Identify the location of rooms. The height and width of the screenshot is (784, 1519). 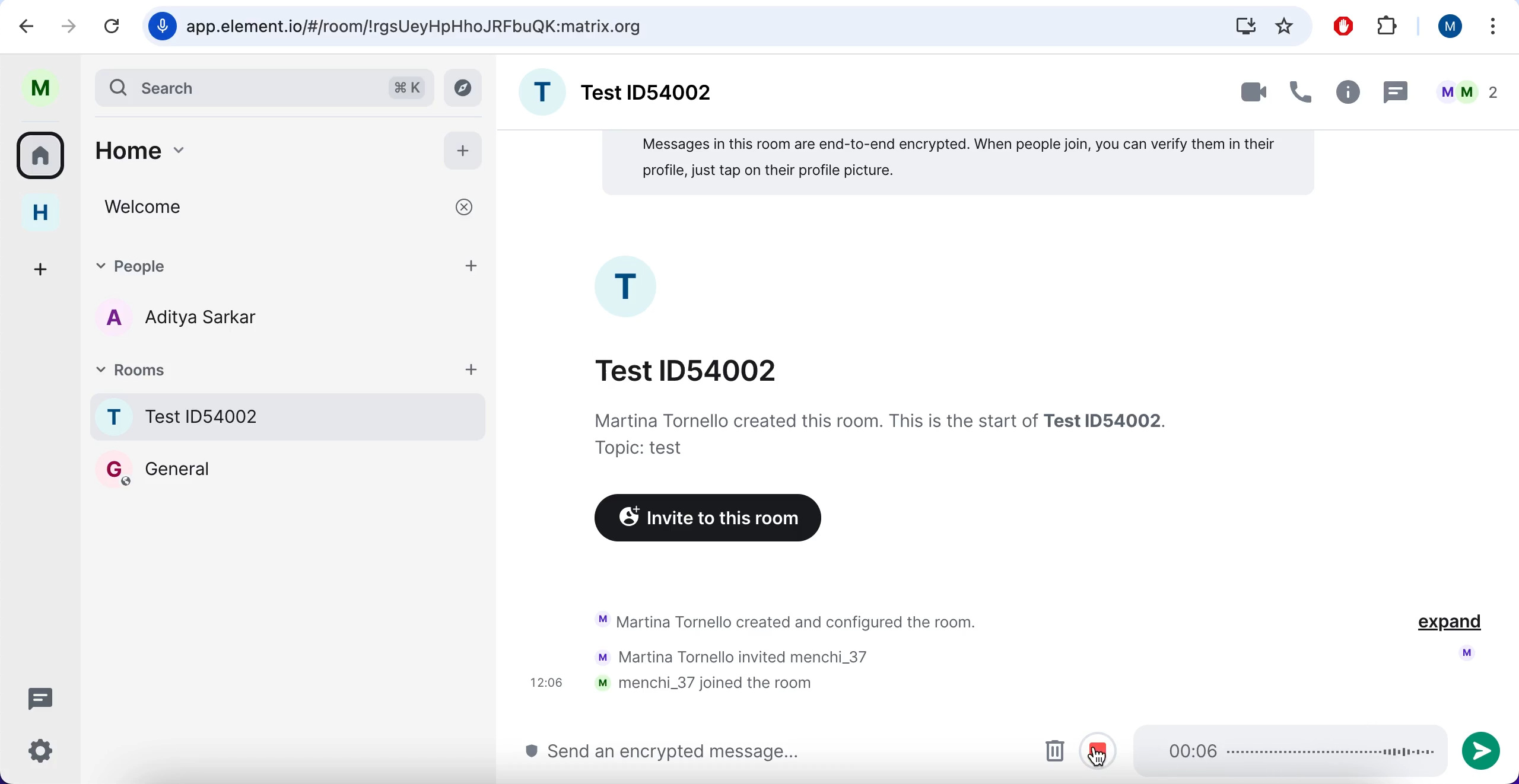
(291, 368).